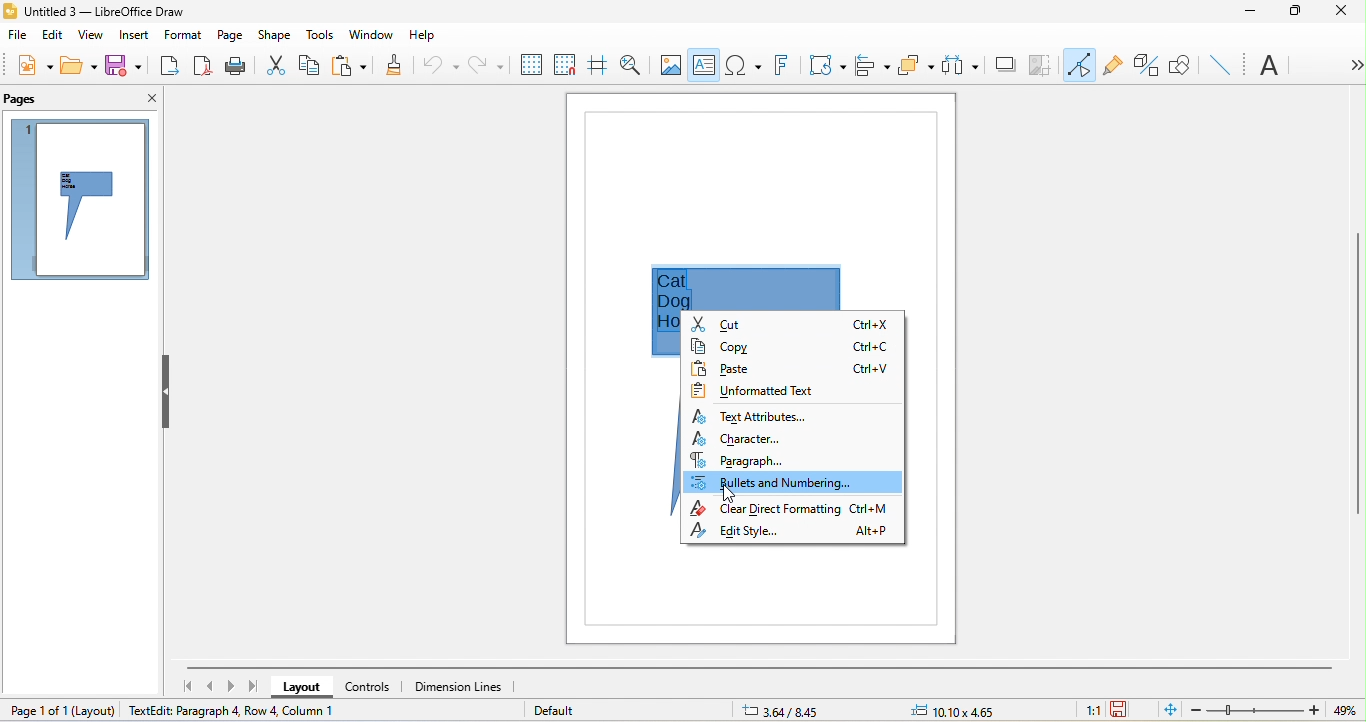  I want to click on helpline while moving, so click(598, 67).